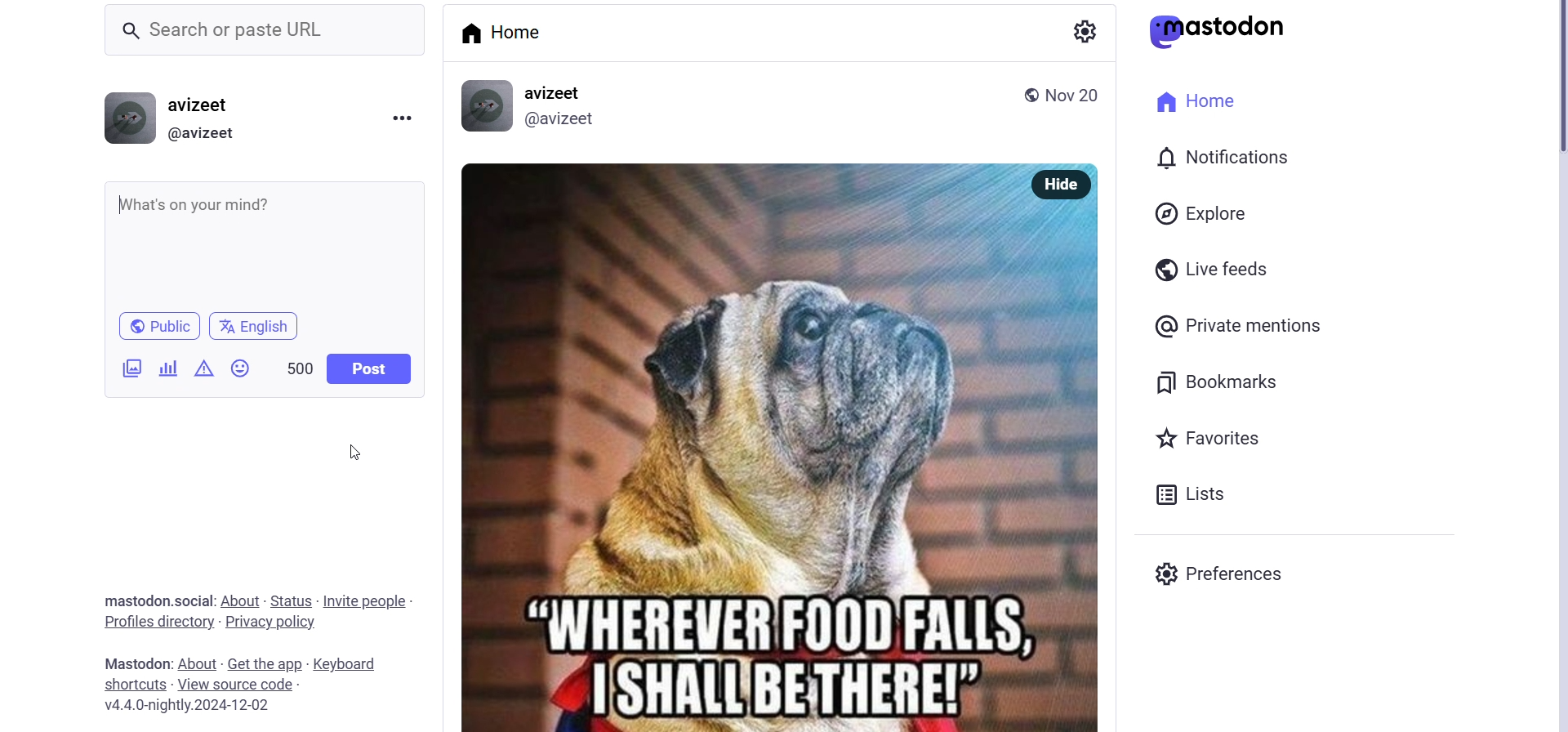 This screenshot has width=1568, height=732. Describe the element at coordinates (202, 135) in the screenshot. I see `@avizeet` at that location.